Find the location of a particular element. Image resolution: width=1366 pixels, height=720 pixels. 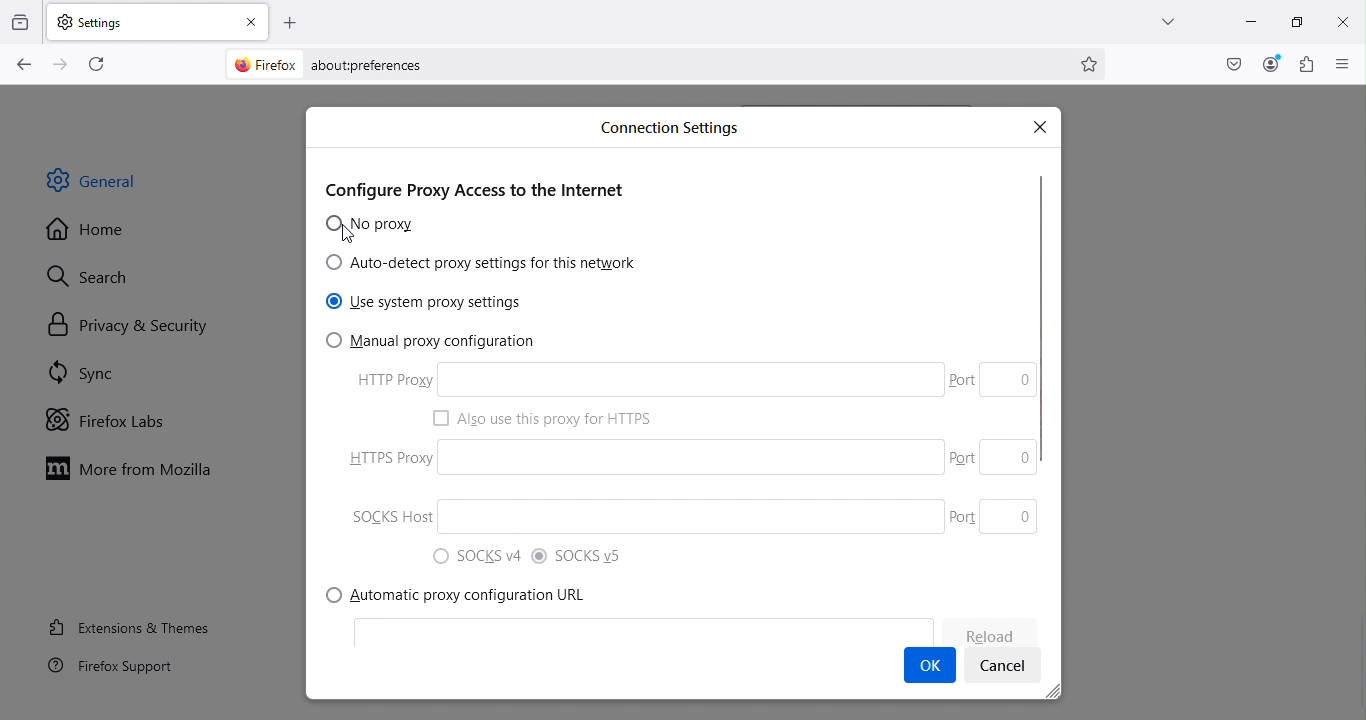

Open a new tab is located at coordinates (291, 20).